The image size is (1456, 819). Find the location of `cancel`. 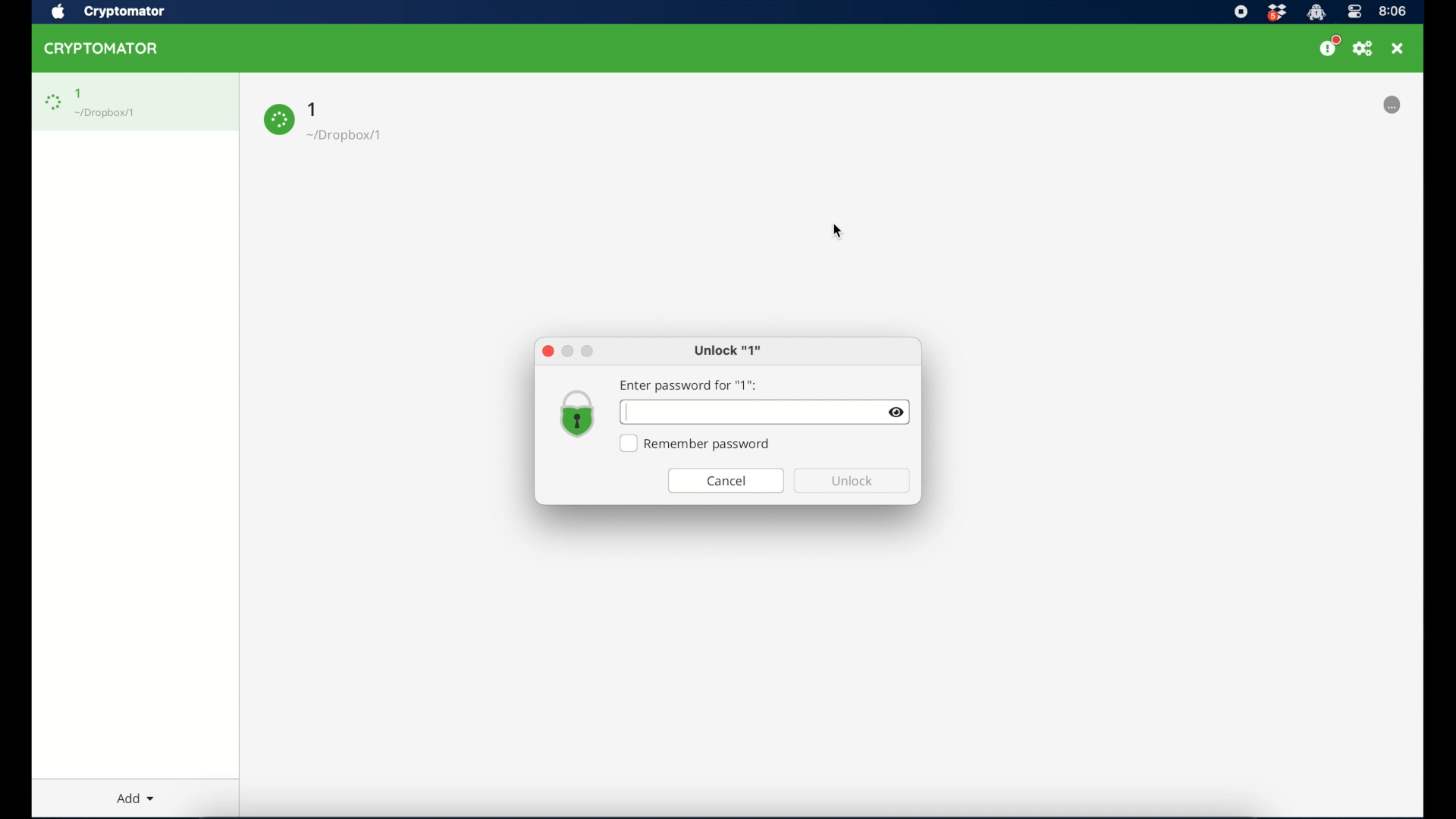

cancel is located at coordinates (726, 482).